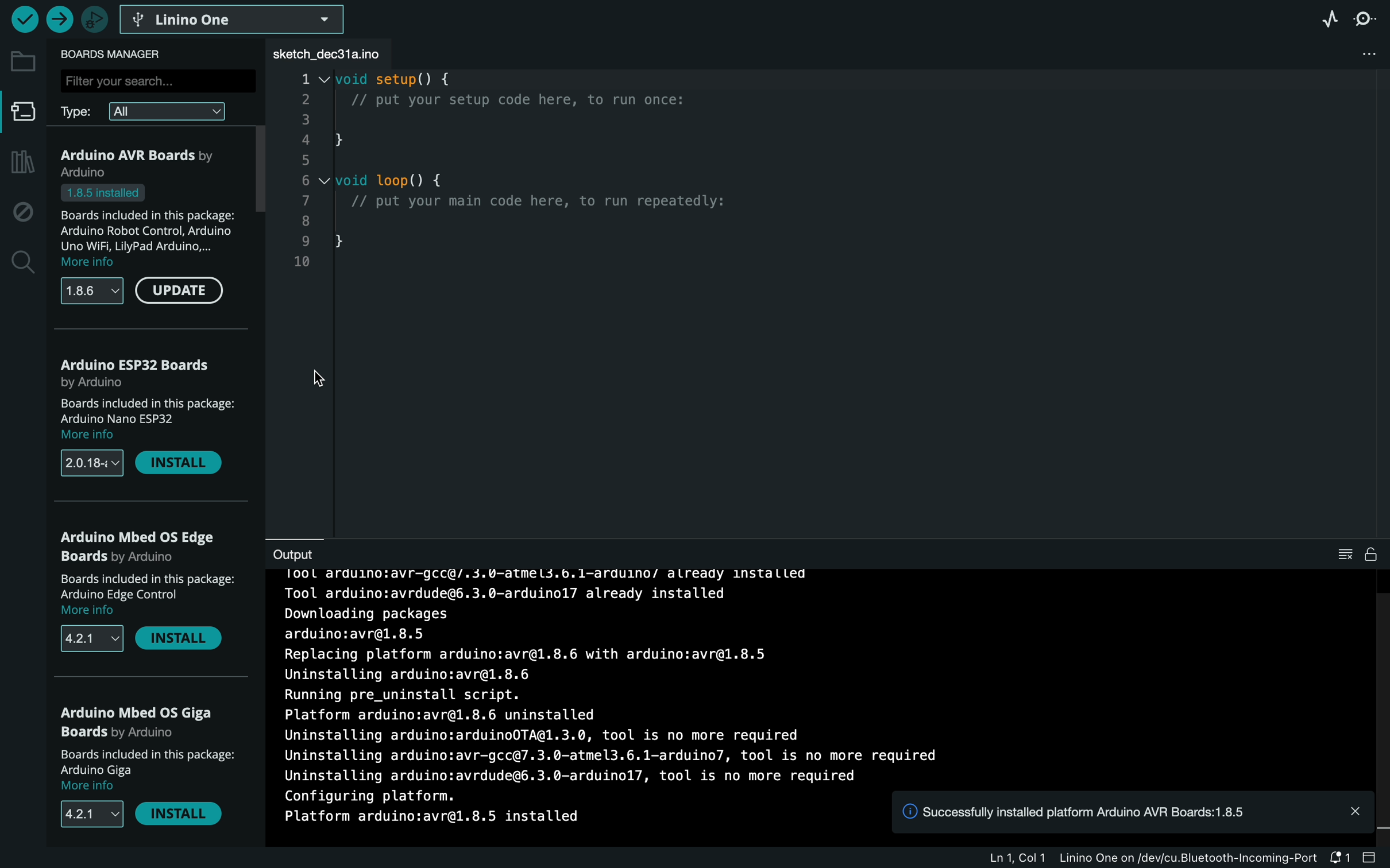 The height and width of the screenshot is (868, 1390). What do you see at coordinates (59, 20) in the screenshot?
I see `upload` at bounding box center [59, 20].